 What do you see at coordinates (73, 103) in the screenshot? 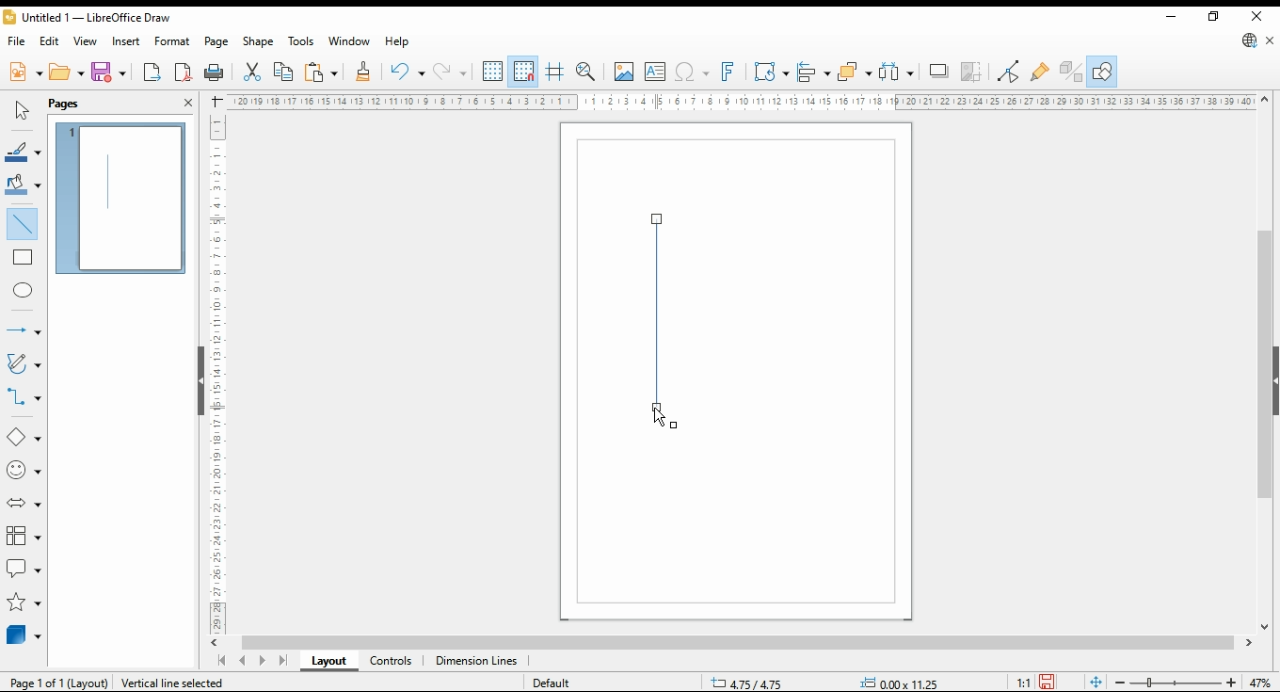
I see `pages` at bounding box center [73, 103].